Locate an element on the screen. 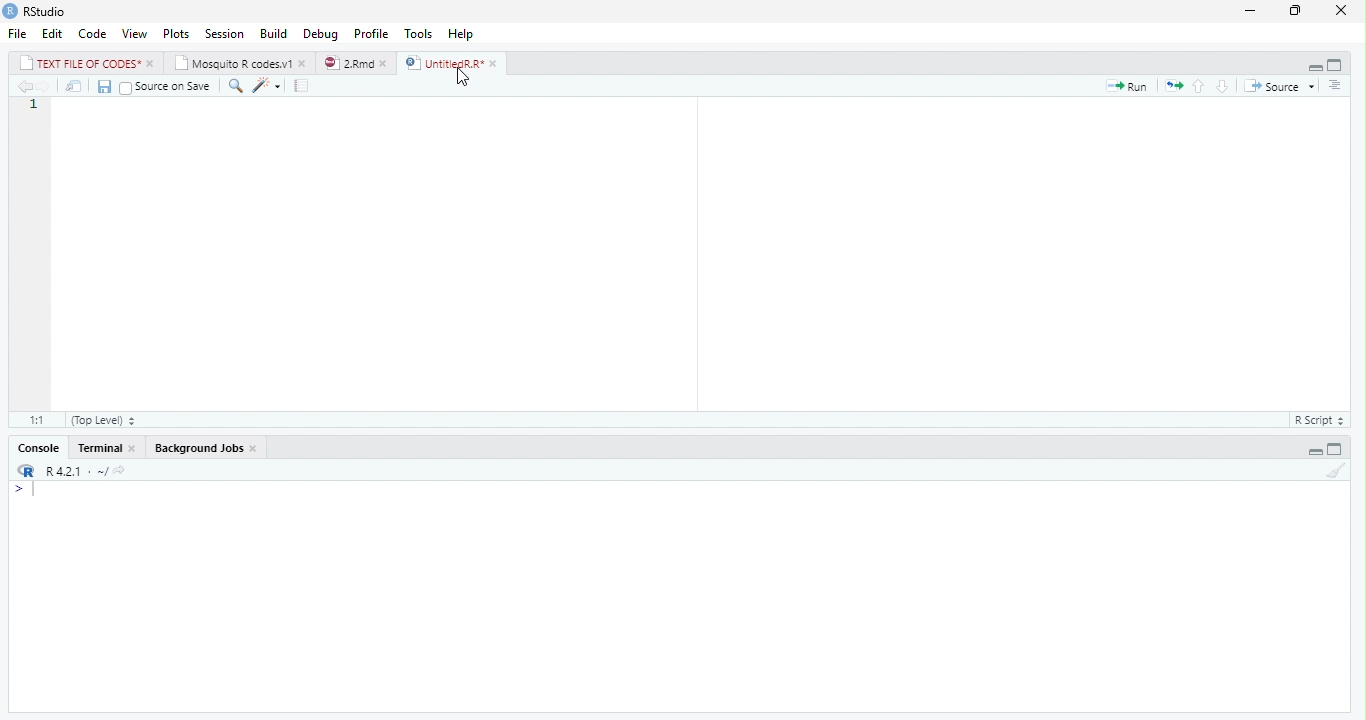 This screenshot has width=1366, height=720. UntitiedR.R is located at coordinates (453, 63).